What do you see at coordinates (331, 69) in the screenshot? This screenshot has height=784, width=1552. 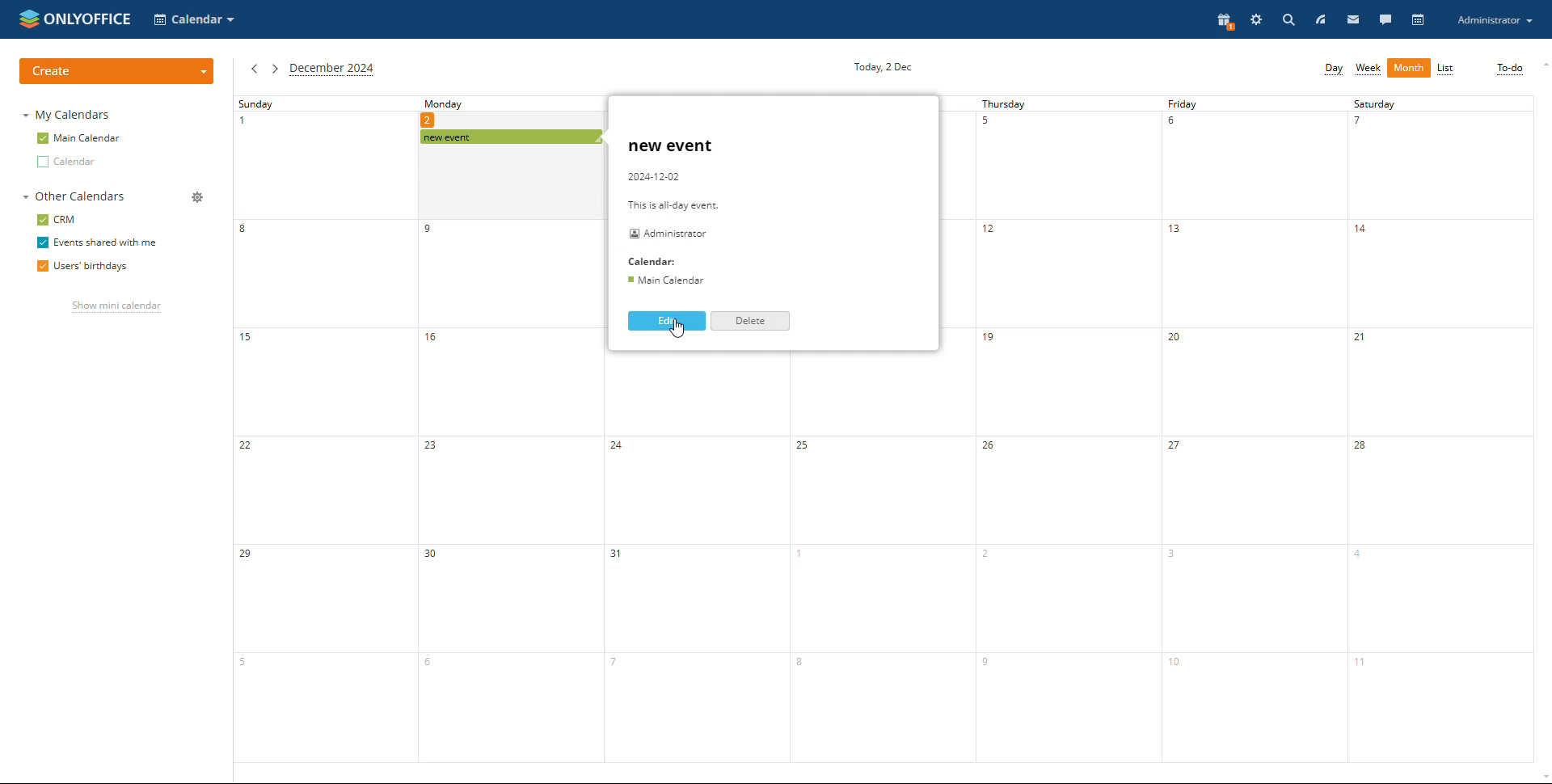 I see `` at bounding box center [331, 69].